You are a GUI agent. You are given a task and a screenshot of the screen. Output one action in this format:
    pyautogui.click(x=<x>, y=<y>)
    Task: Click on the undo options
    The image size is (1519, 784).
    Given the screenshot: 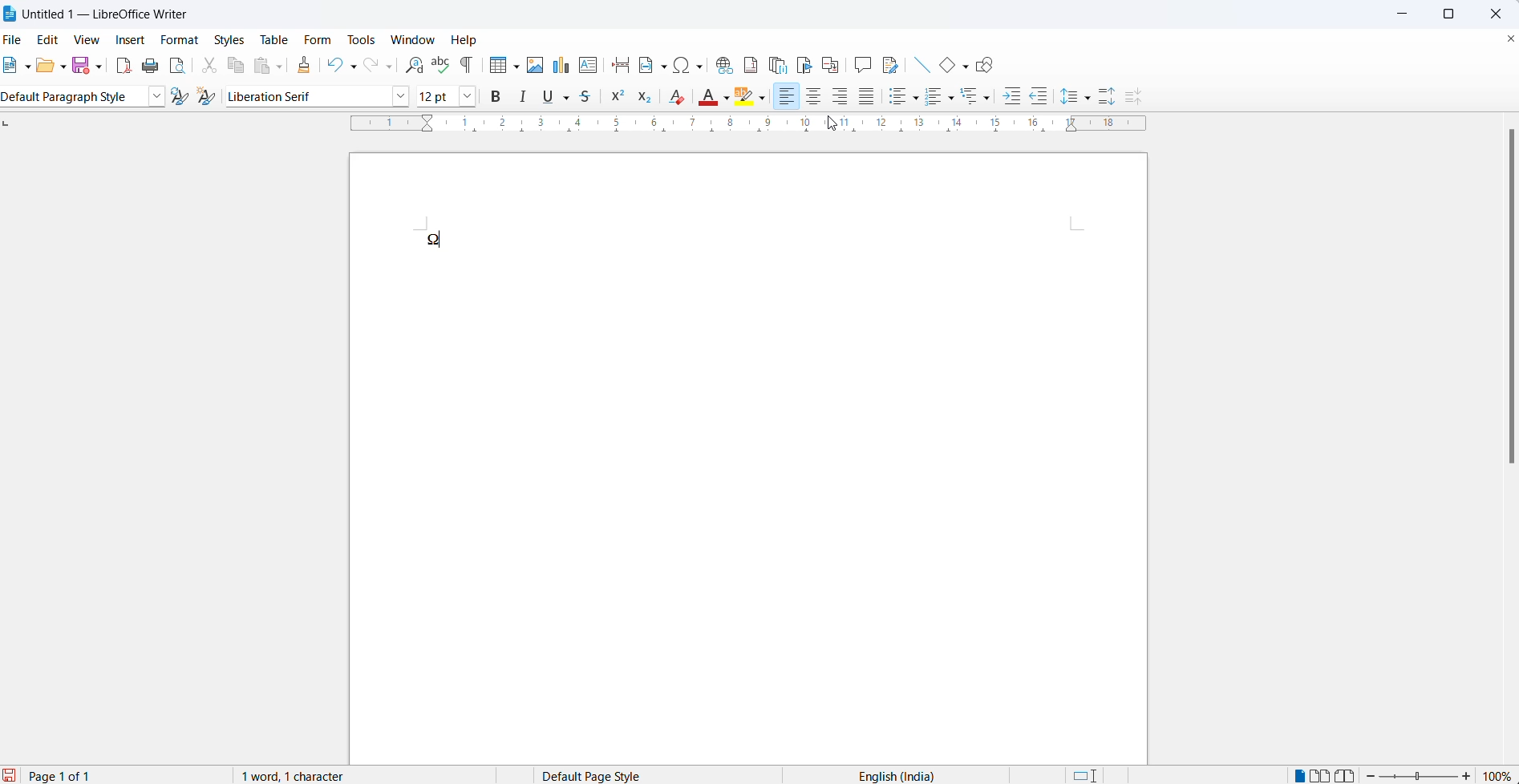 What is the action you would take?
    pyautogui.click(x=352, y=64)
    